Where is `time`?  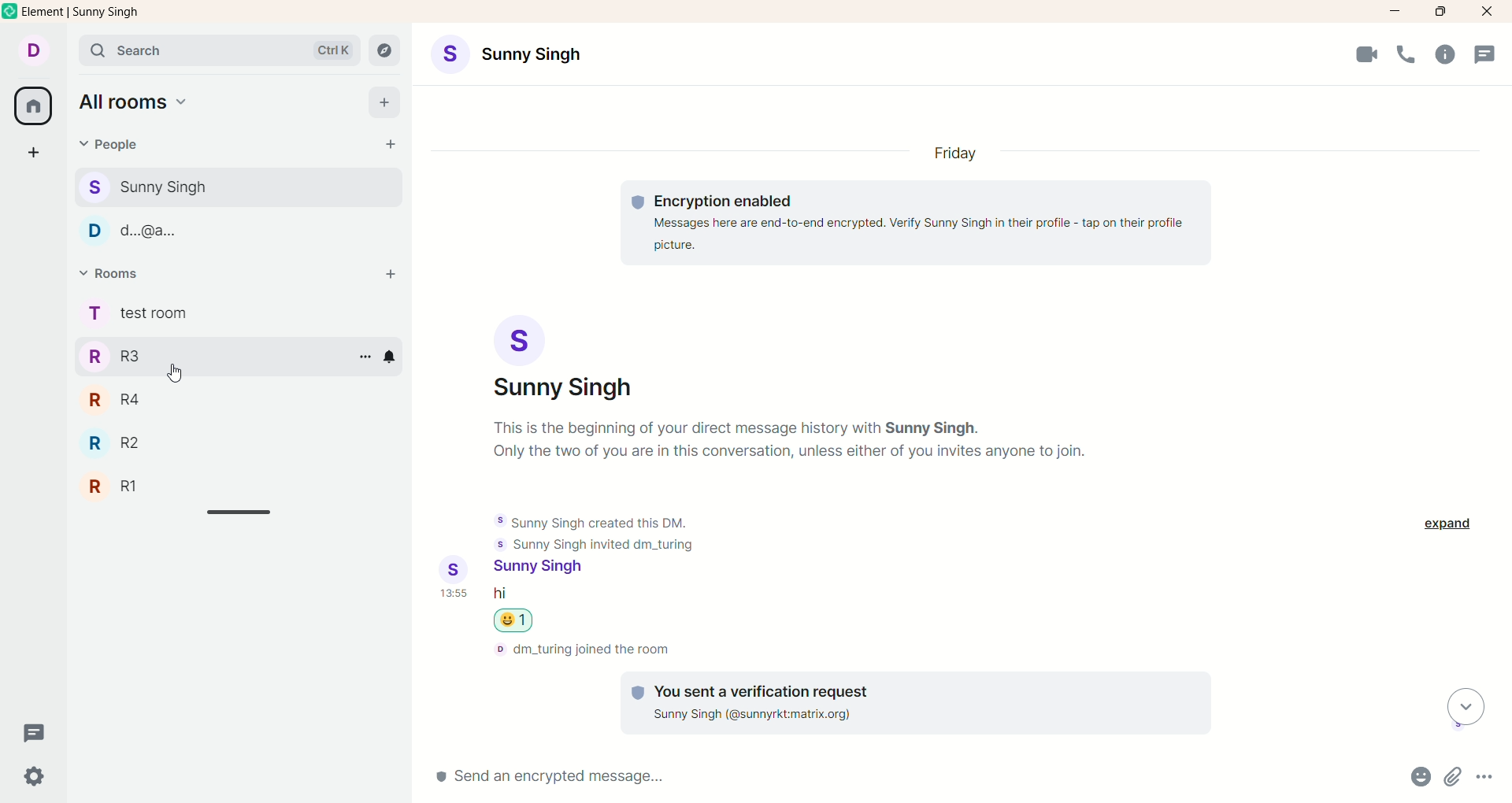 time is located at coordinates (451, 599).